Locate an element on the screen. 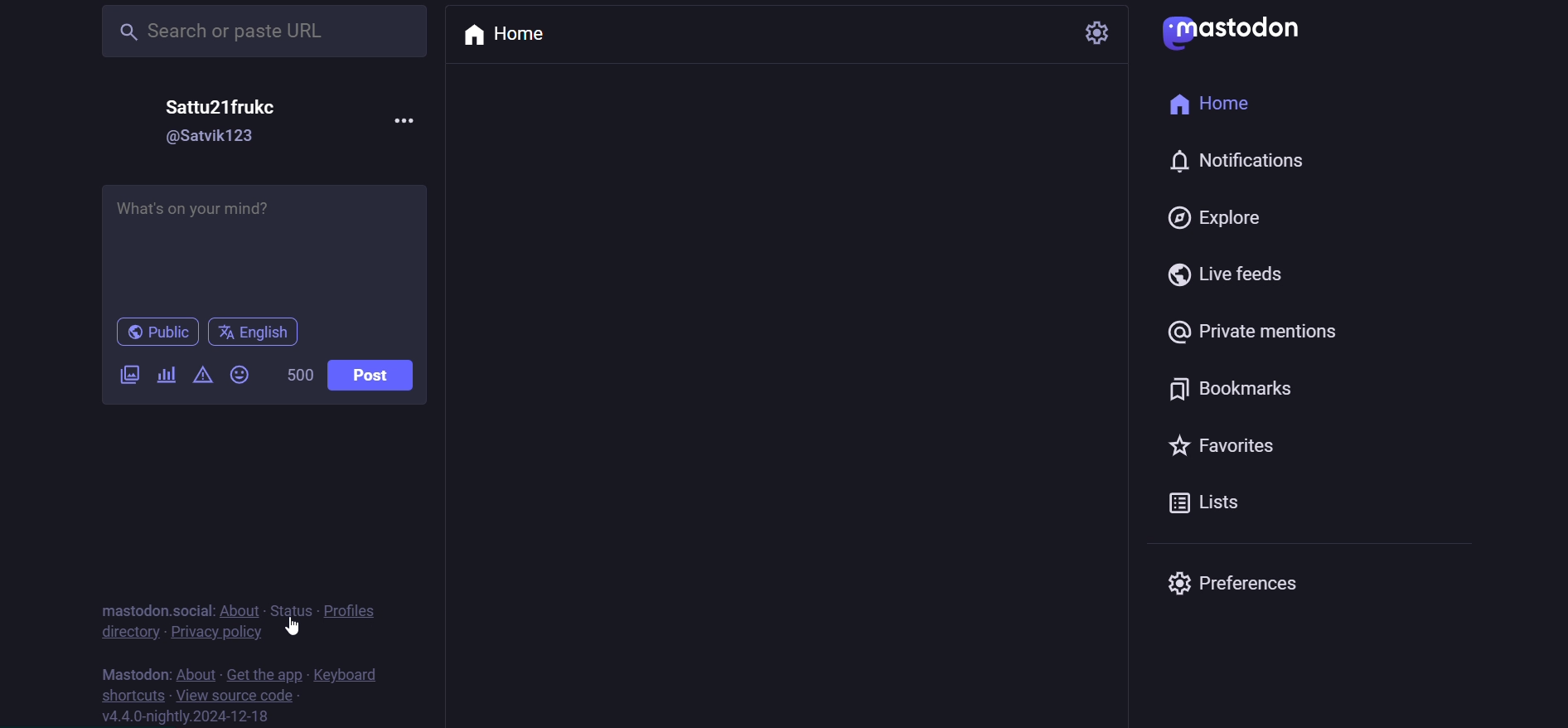 The image size is (1568, 728). notification is located at coordinates (1248, 161).